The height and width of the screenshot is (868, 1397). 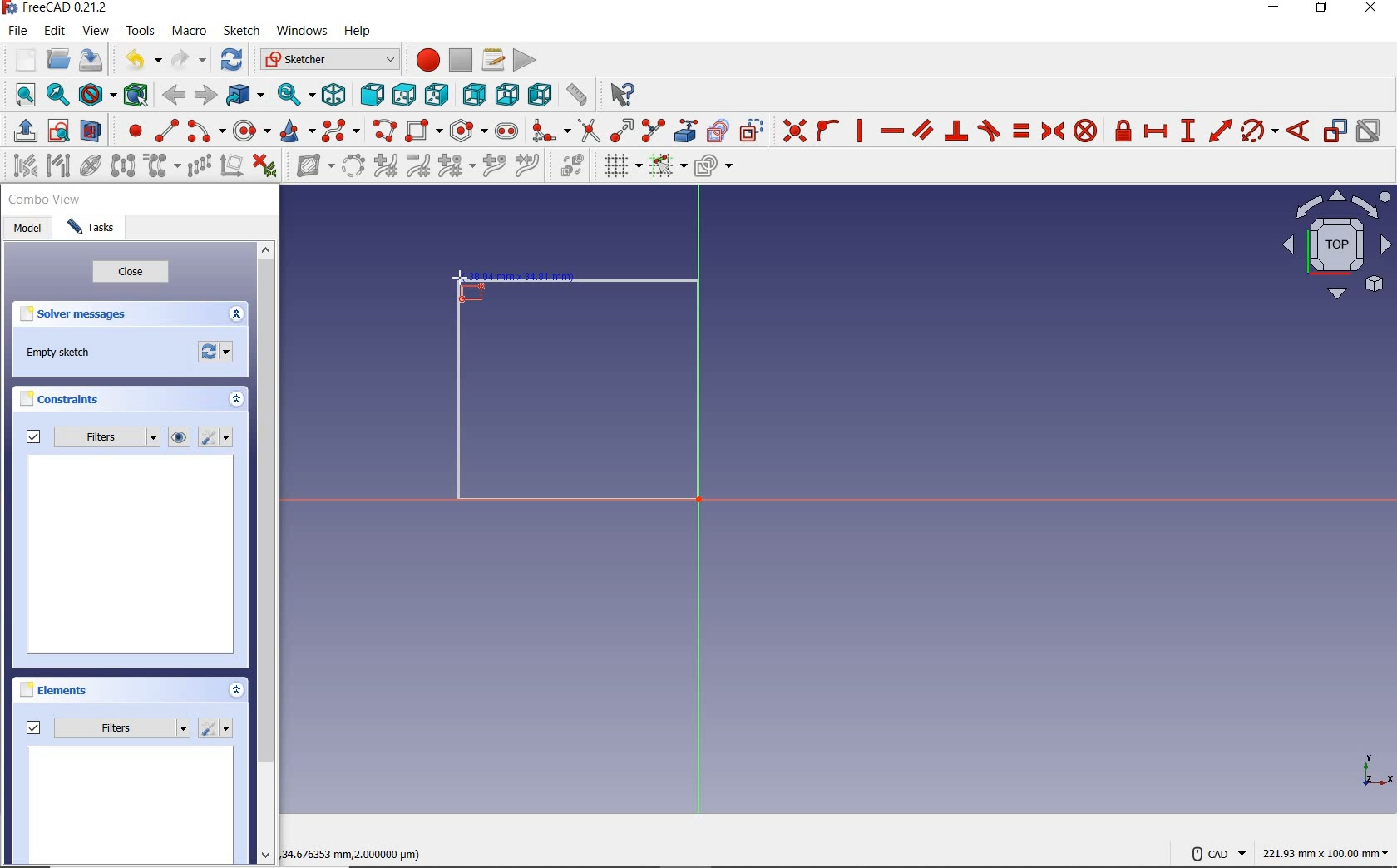 I want to click on leave sketch, so click(x=22, y=131).